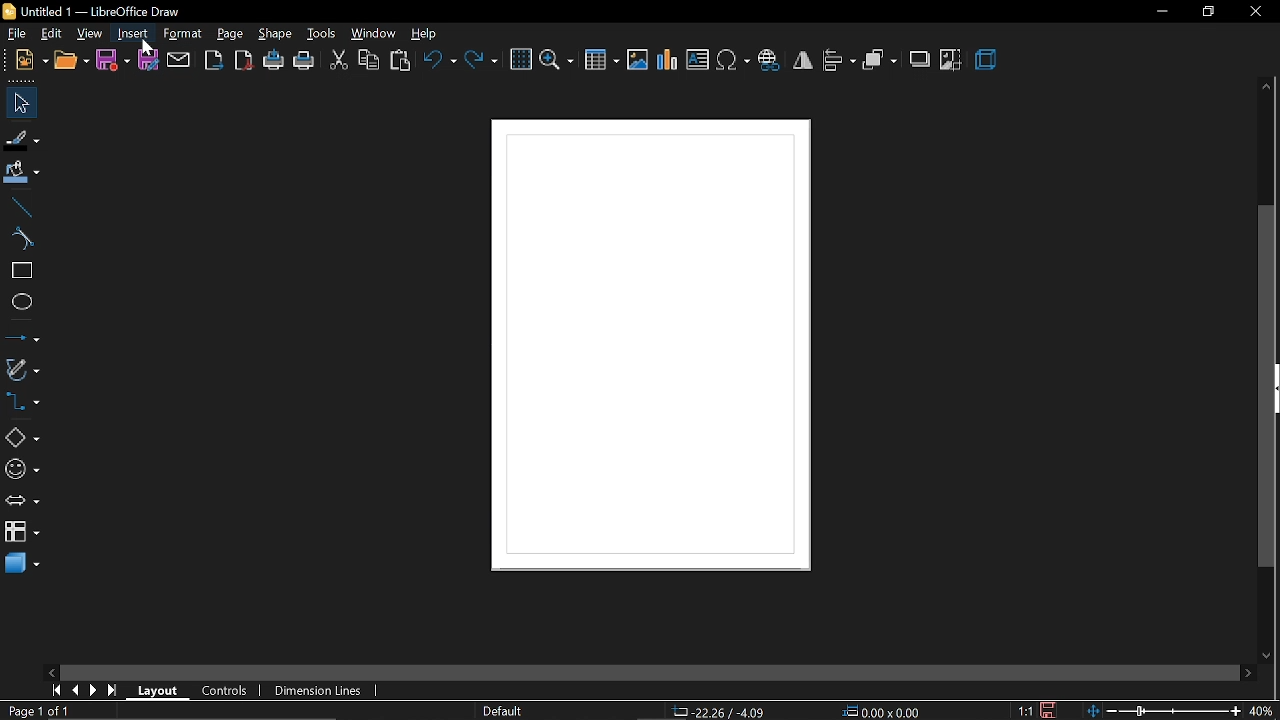 The image size is (1280, 720). I want to click on libreoffice draw logo, so click(11, 11).